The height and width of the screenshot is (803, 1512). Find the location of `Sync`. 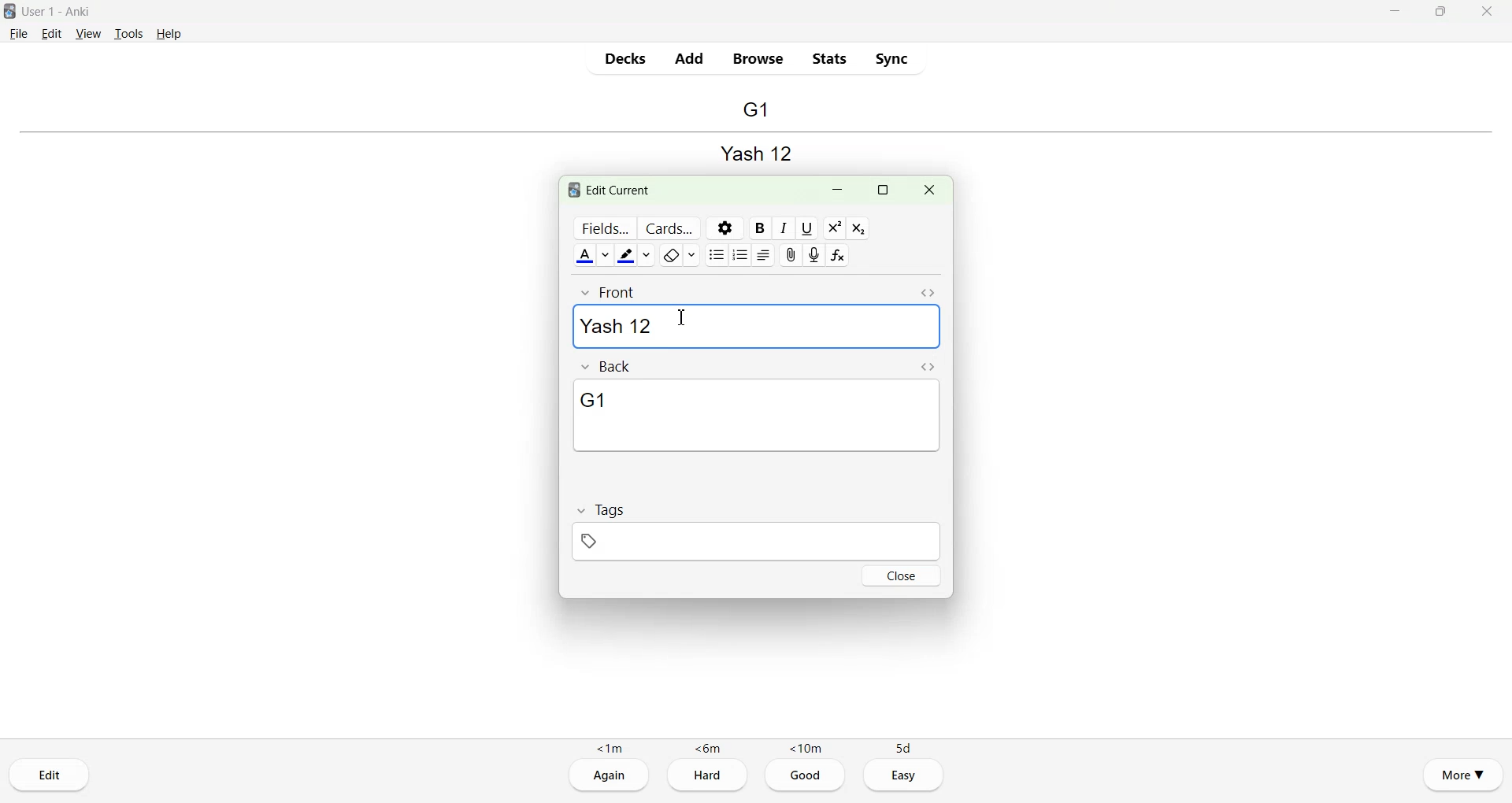

Sync is located at coordinates (891, 58).